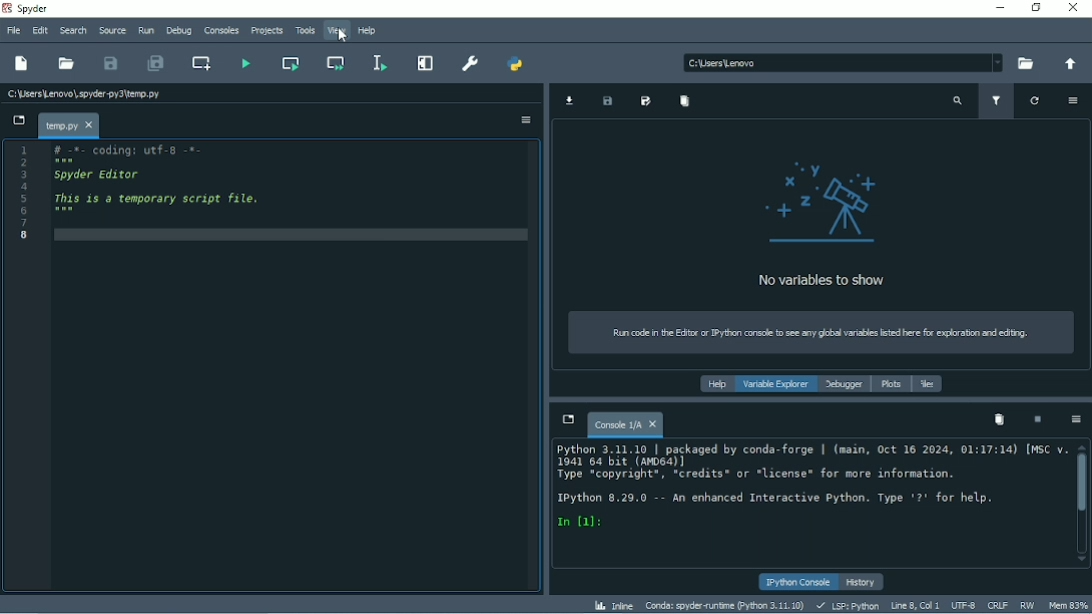 The height and width of the screenshot is (614, 1092). Describe the element at coordinates (112, 30) in the screenshot. I see `Source` at that location.